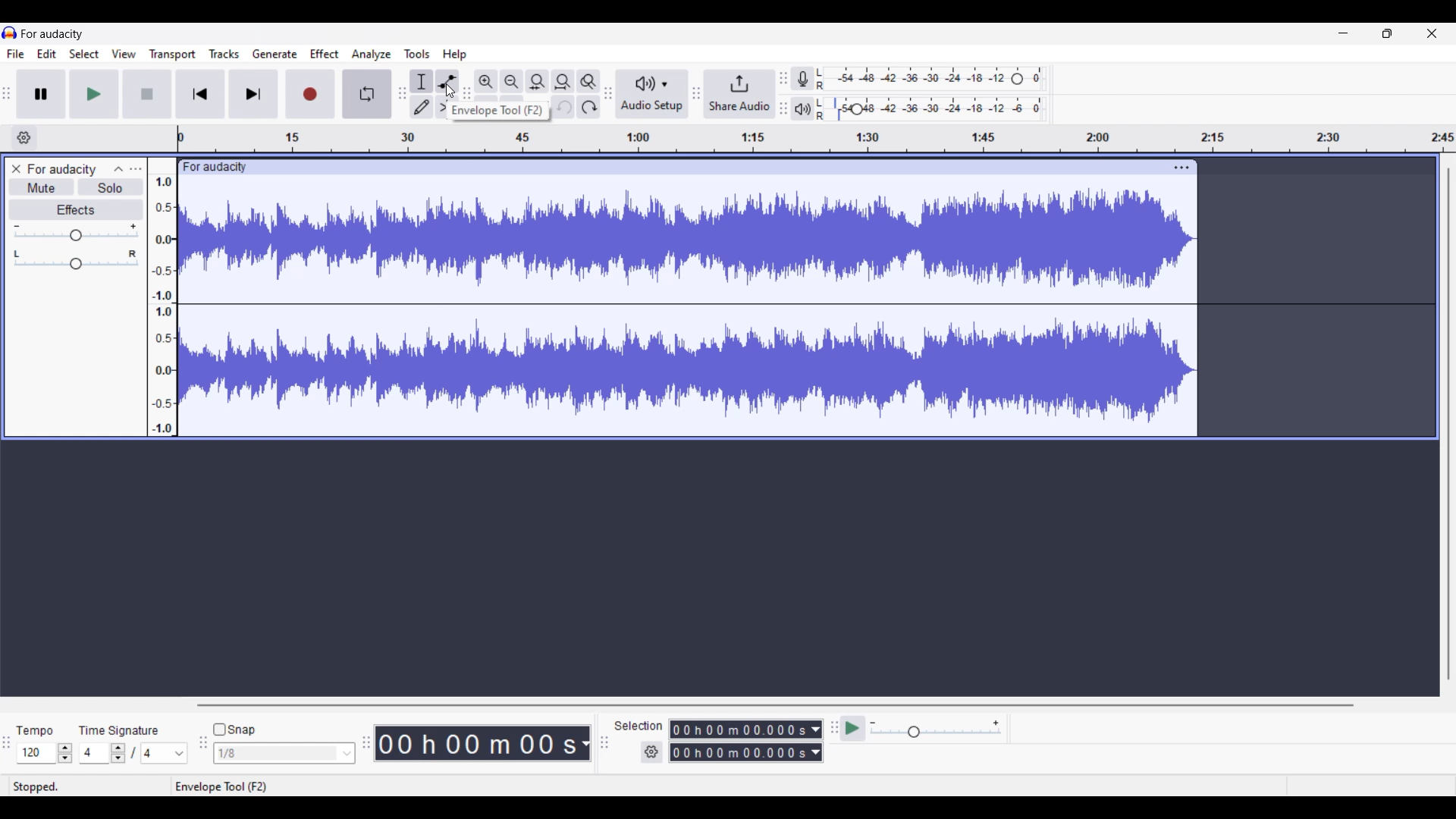 This screenshot has height=819, width=1456. What do you see at coordinates (498, 110) in the screenshot?
I see `Description of selection by cursor` at bounding box center [498, 110].